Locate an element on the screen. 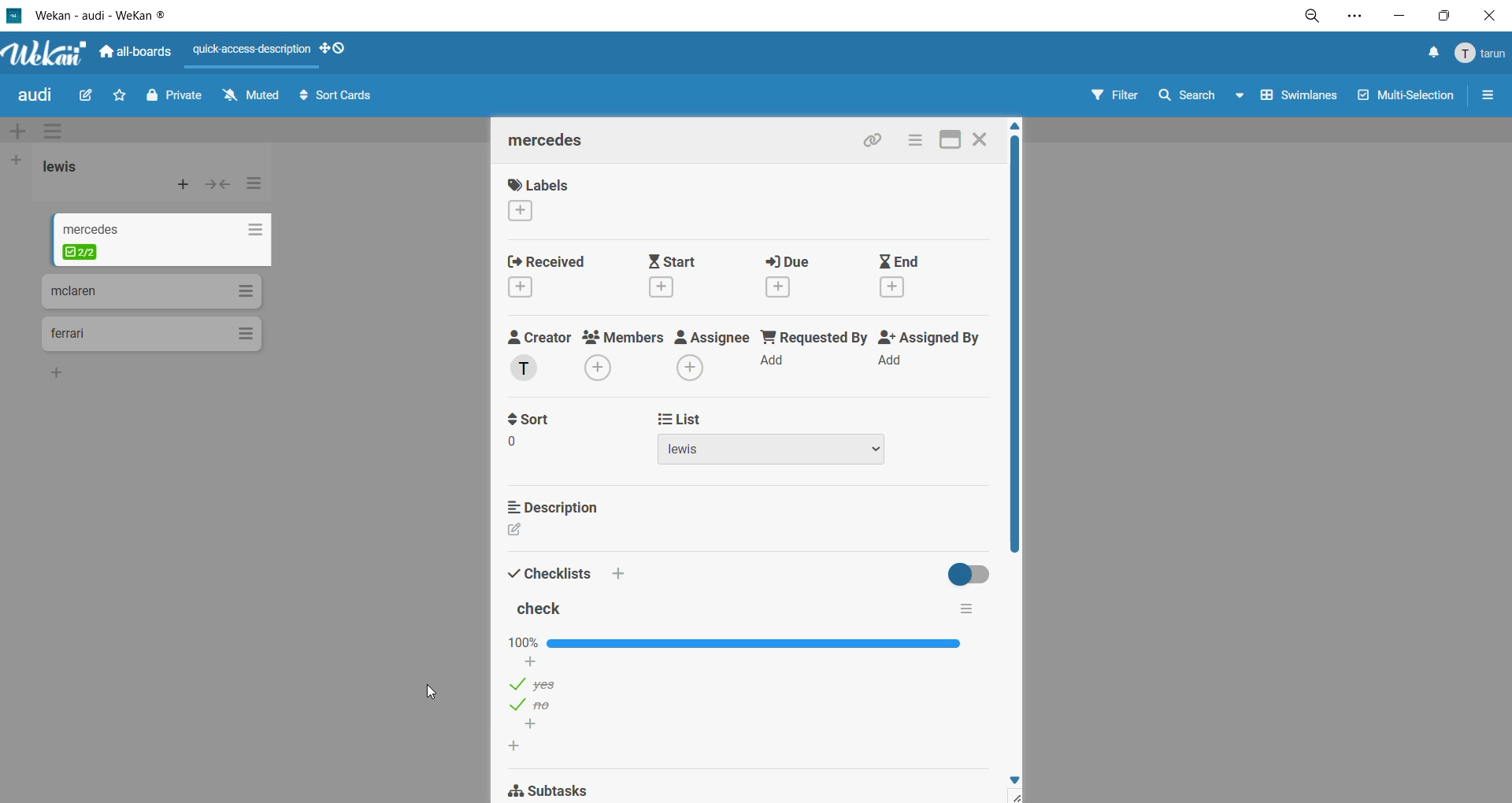  checklist title is located at coordinates (543, 608).